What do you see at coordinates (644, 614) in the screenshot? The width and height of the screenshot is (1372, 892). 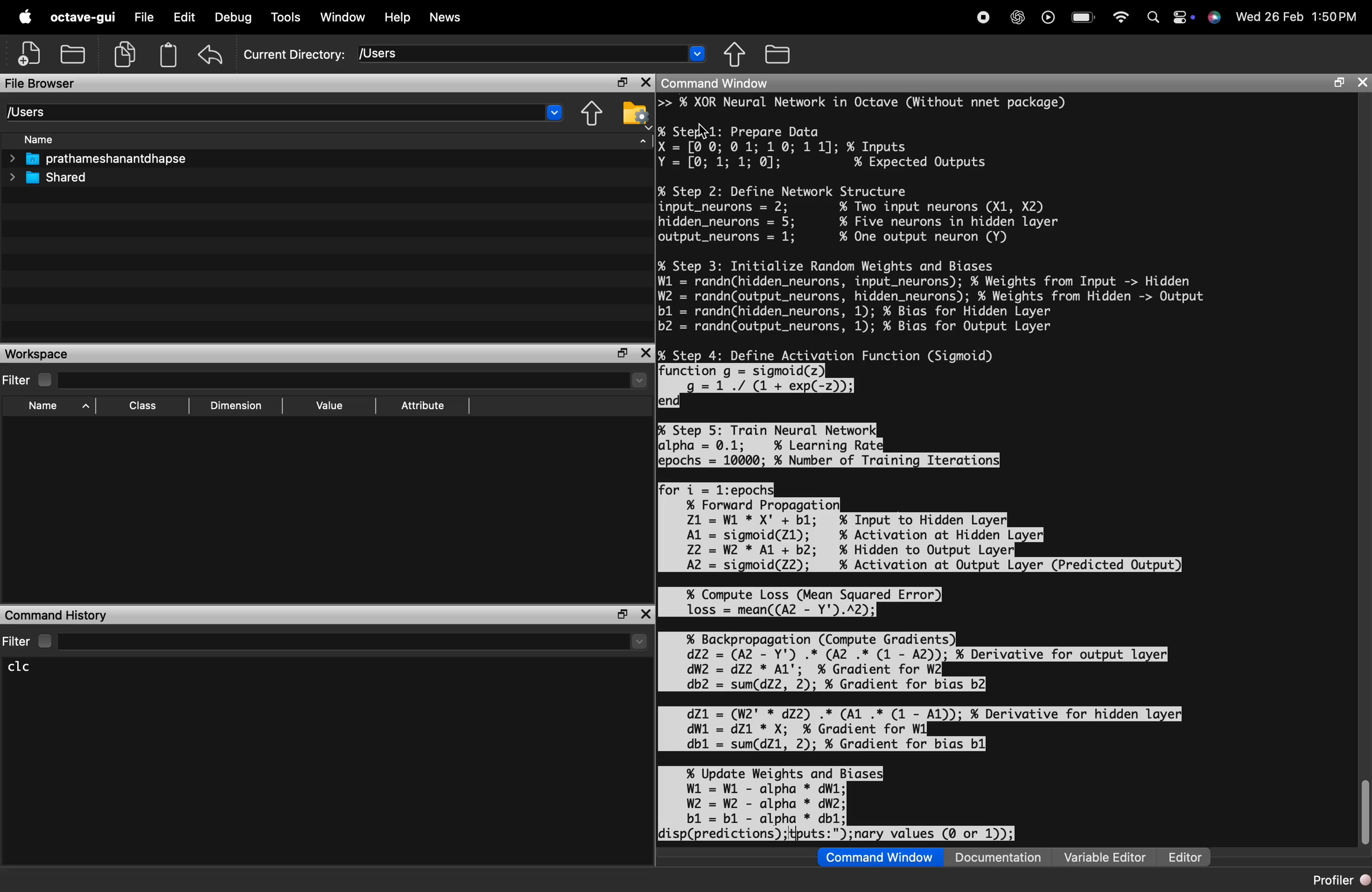 I see `close` at bounding box center [644, 614].